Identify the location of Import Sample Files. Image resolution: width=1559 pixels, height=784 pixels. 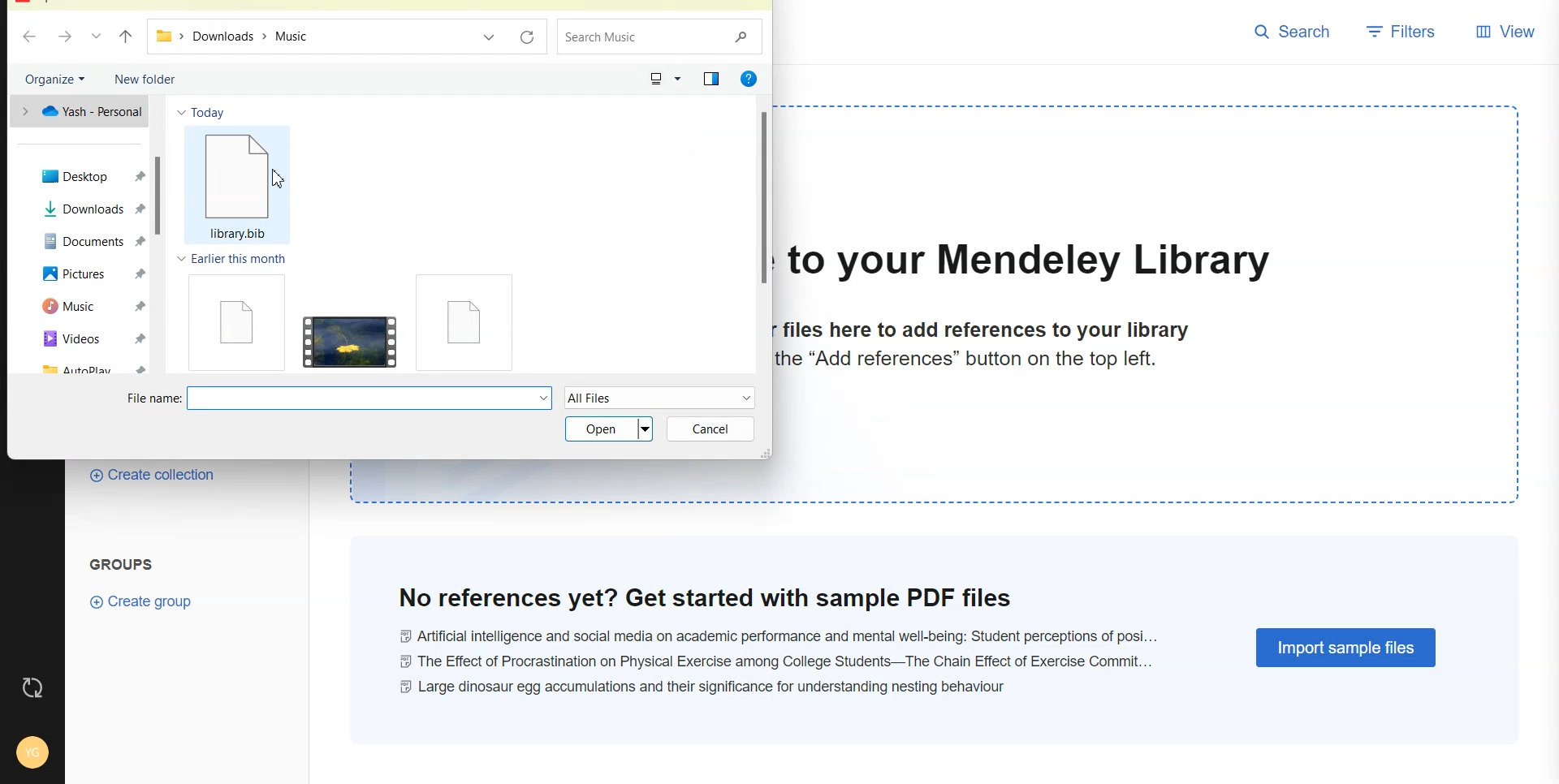
(1348, 648).